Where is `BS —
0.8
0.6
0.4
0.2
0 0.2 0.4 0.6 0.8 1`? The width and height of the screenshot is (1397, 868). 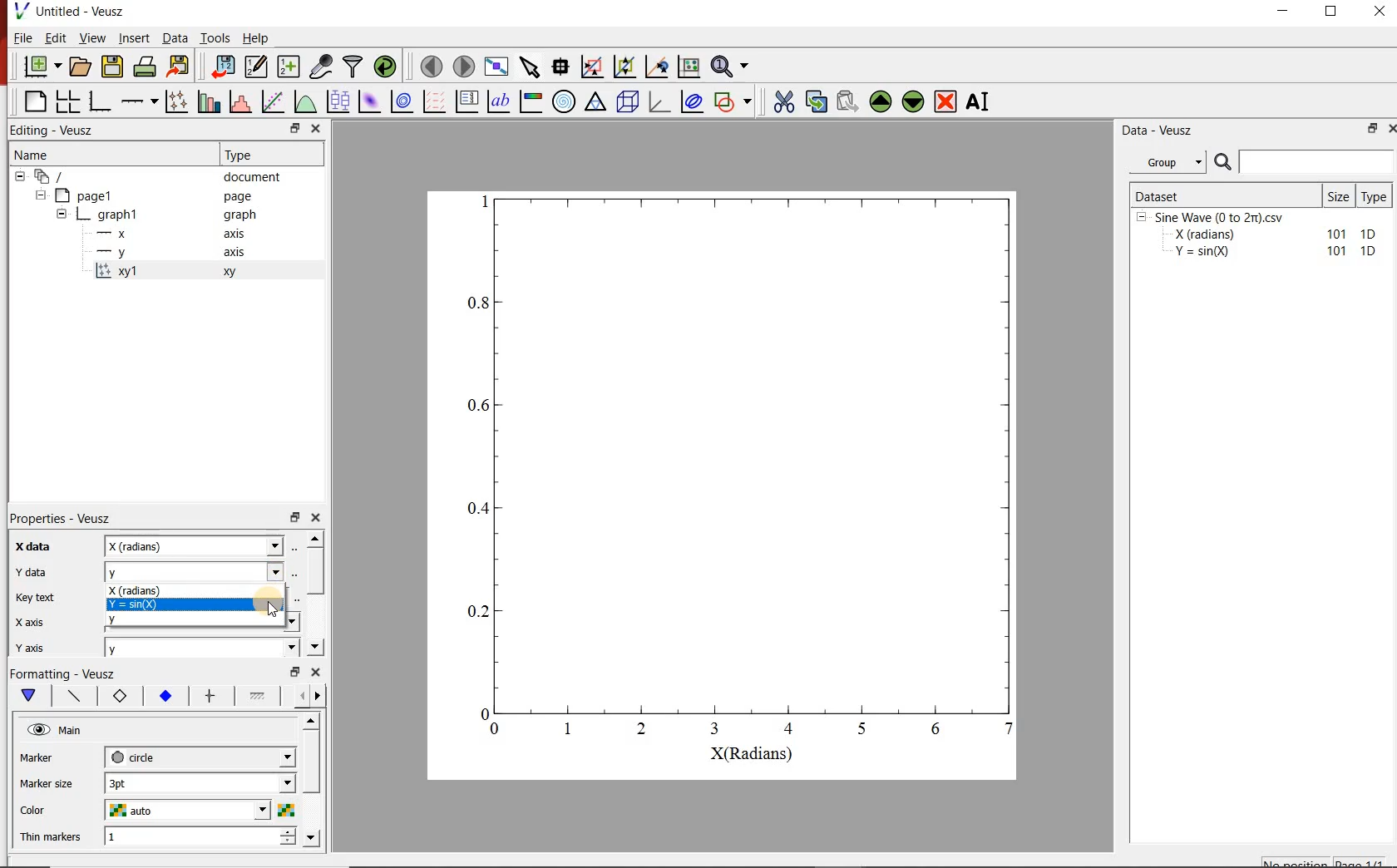
BS —
0.8
0.6
0.4
0.2
0 0.2 0.4 0.6 0.8 1 is located at coordinates (743, 476).